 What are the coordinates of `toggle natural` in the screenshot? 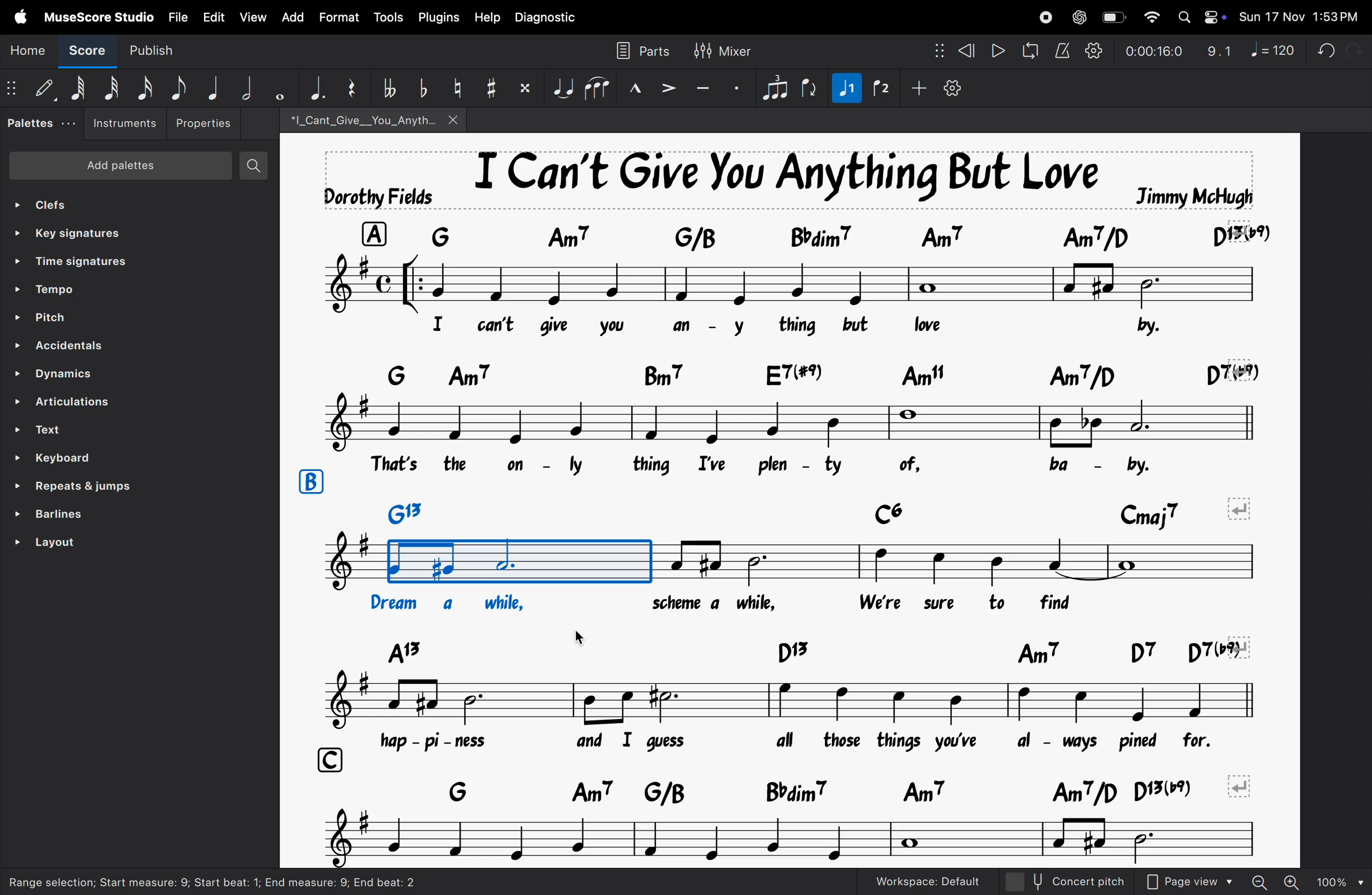 It's located at (455, 86).